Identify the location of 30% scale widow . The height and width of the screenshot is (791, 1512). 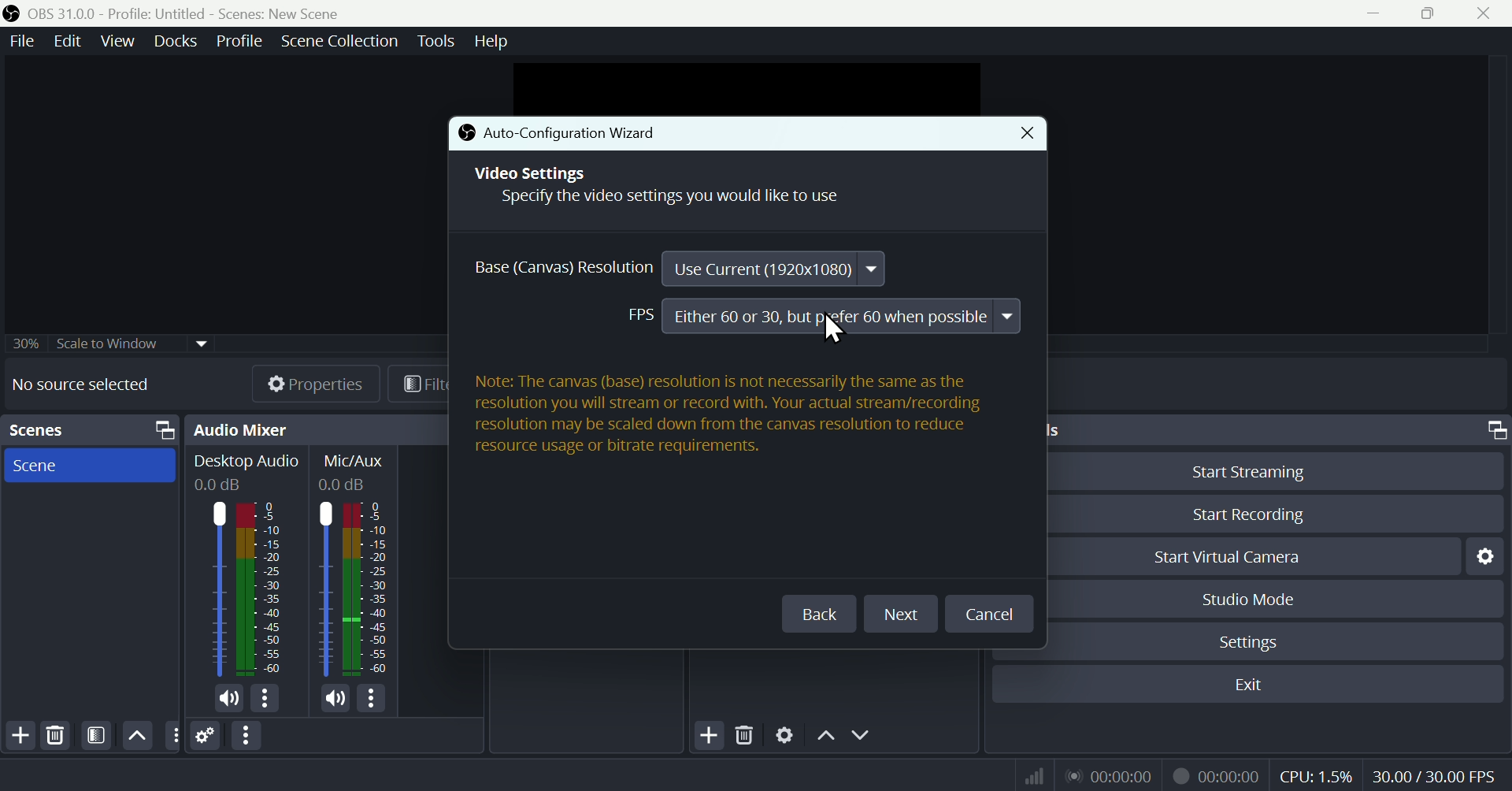
(132, 342).